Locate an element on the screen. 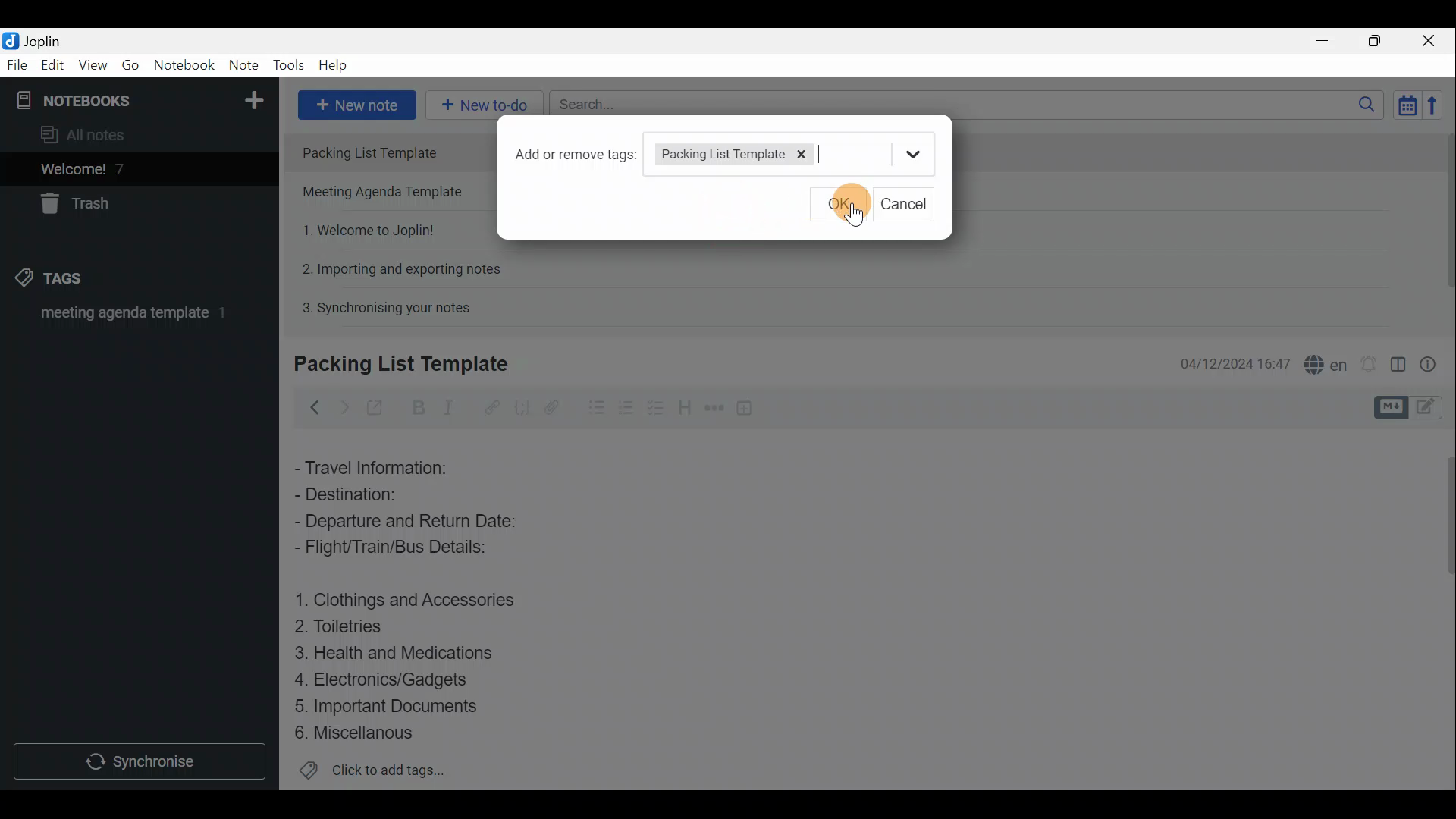 The image size is (1456, 819). Packing List Template is located at coordinates (391, 152).